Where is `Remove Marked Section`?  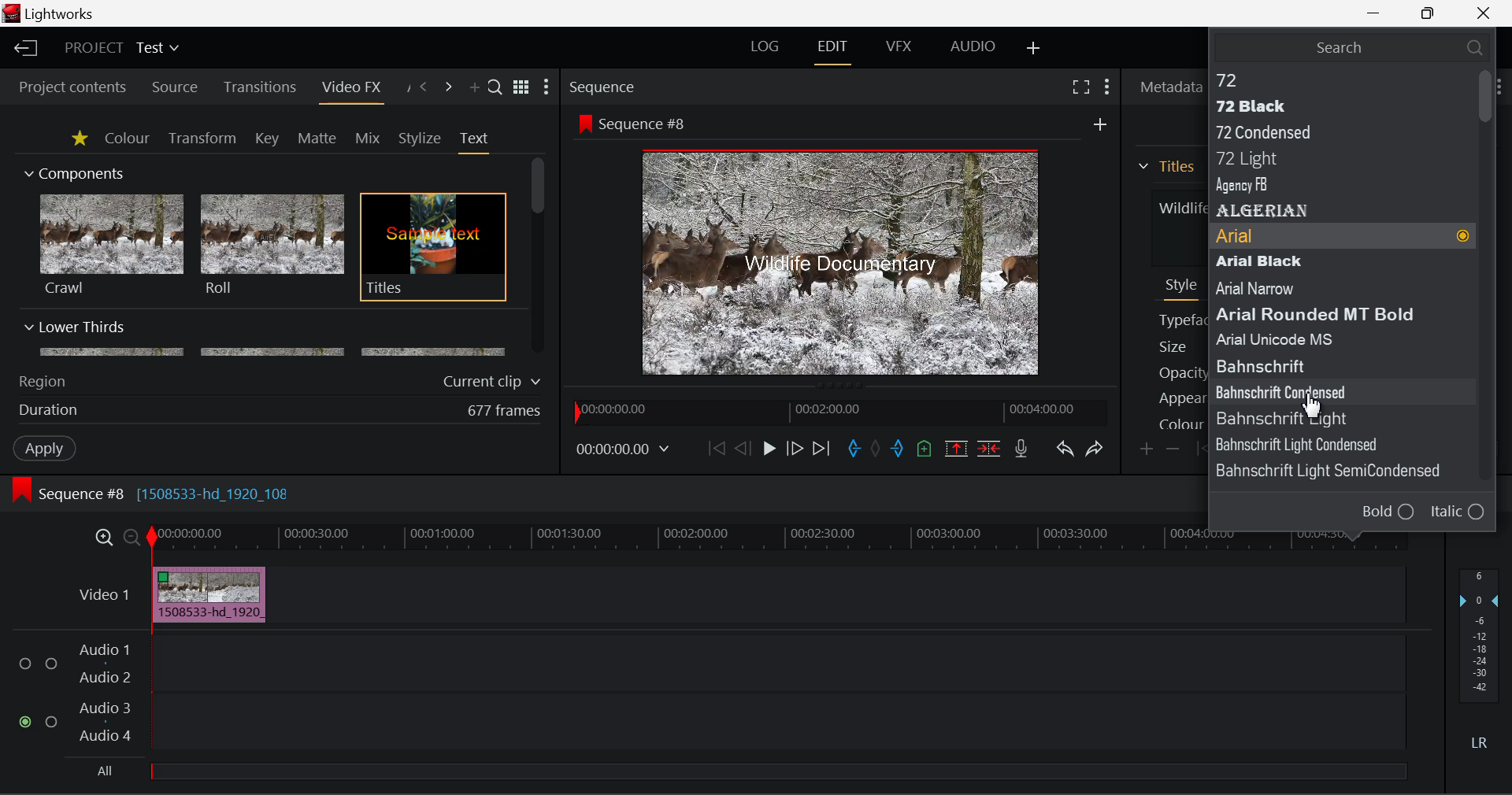
Remove Marked Section is located at coordinates (956, 449).